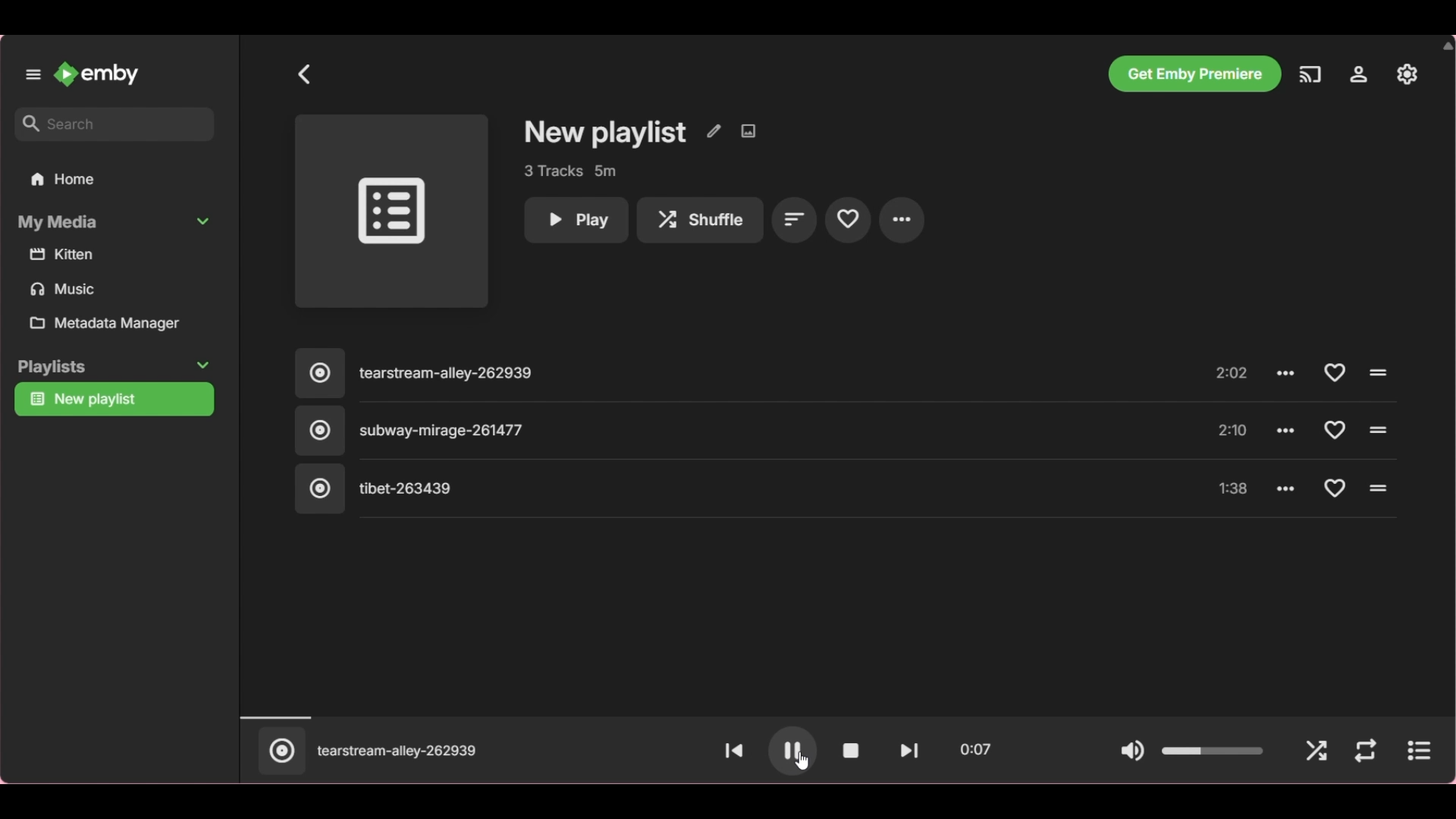 The image size is (1456, 819). Describe the element at coordinates (1358, 74) in the screenshot. I see `Settings ` at that location.